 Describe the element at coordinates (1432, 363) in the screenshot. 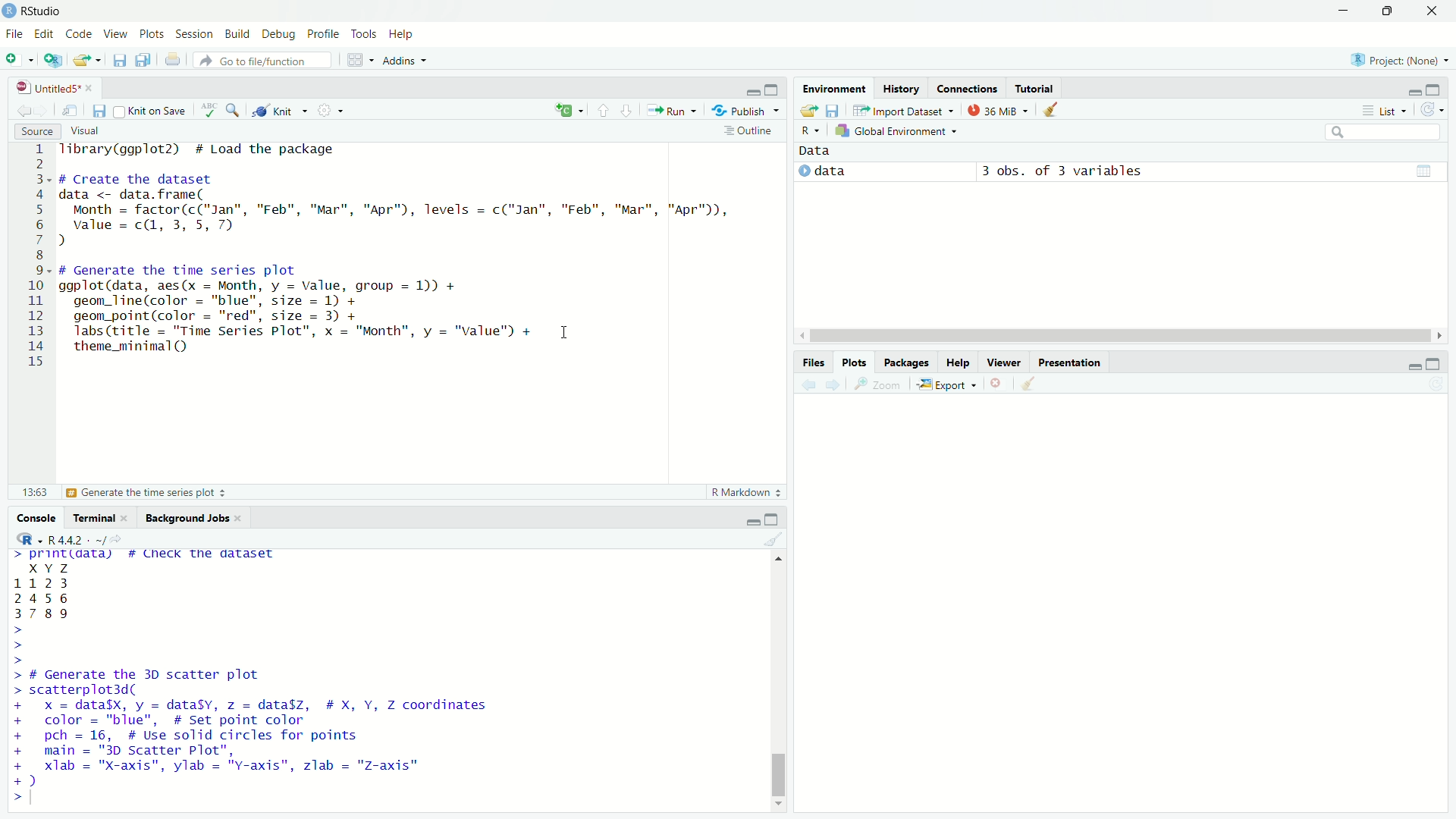

I see `maximize` at that location.